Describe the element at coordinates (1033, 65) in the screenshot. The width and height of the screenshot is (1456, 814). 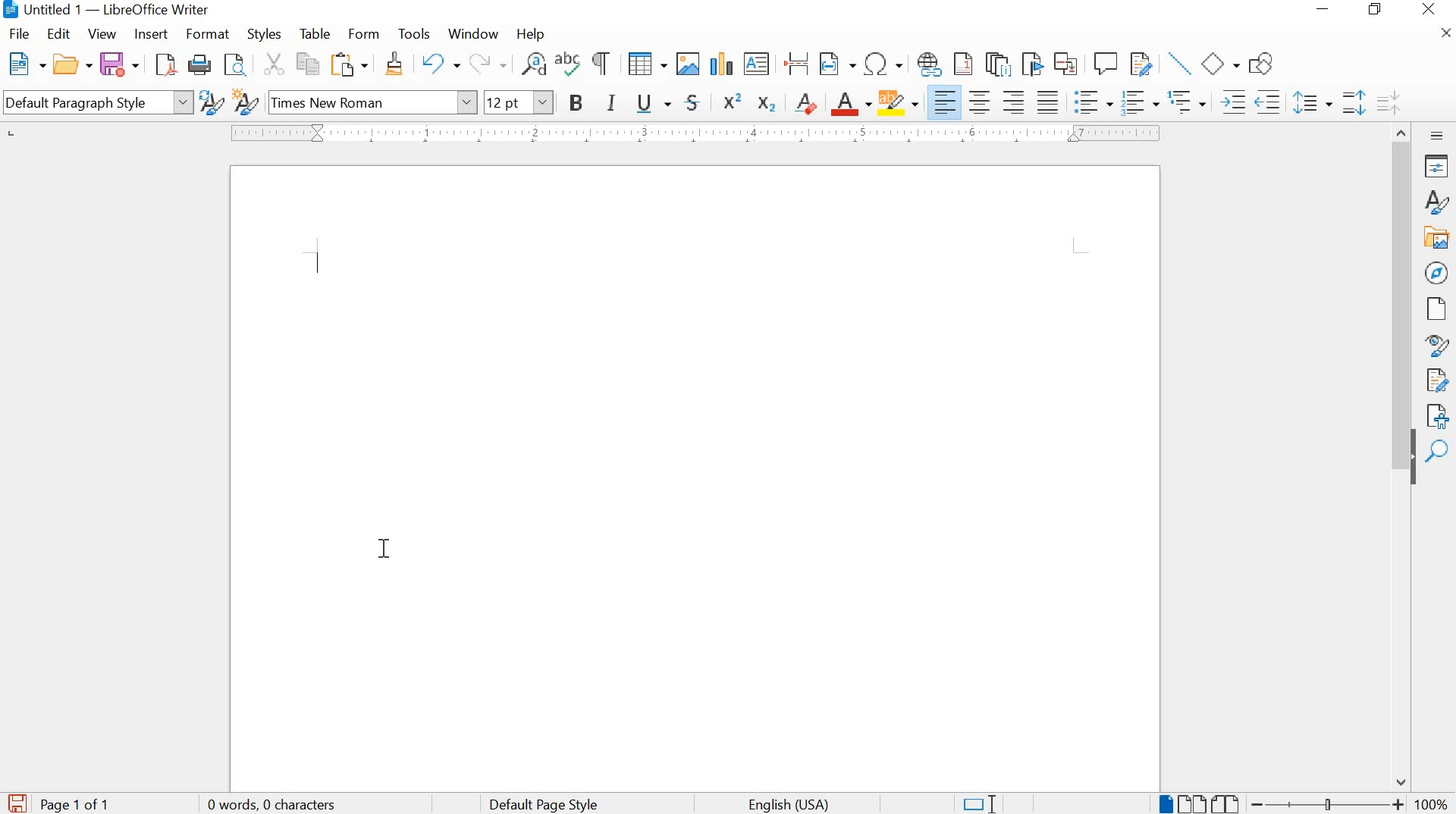
I see `INSERT BOOKMARK` at that location.